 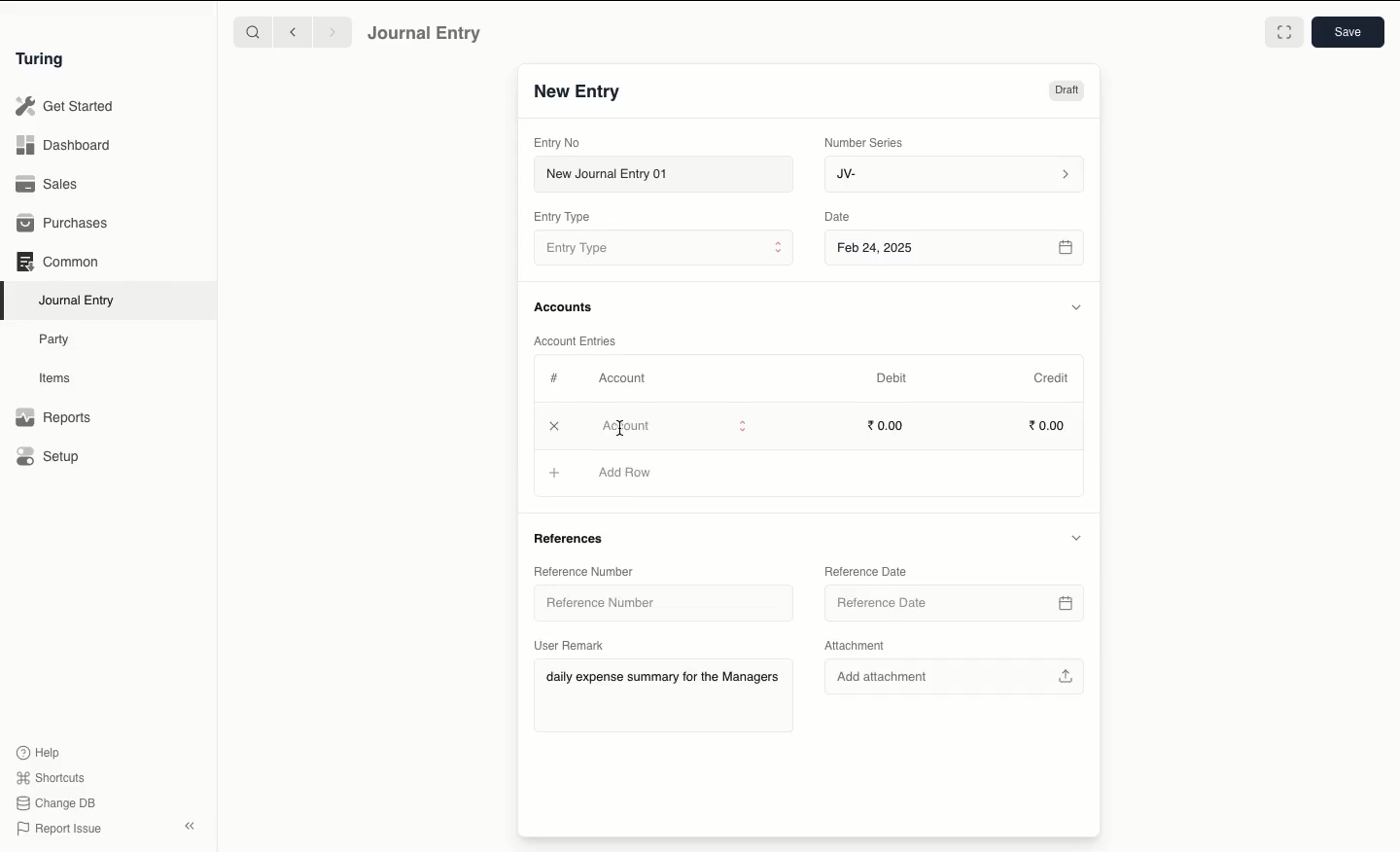 I want to click on Setup, so click(x=49, y=455).